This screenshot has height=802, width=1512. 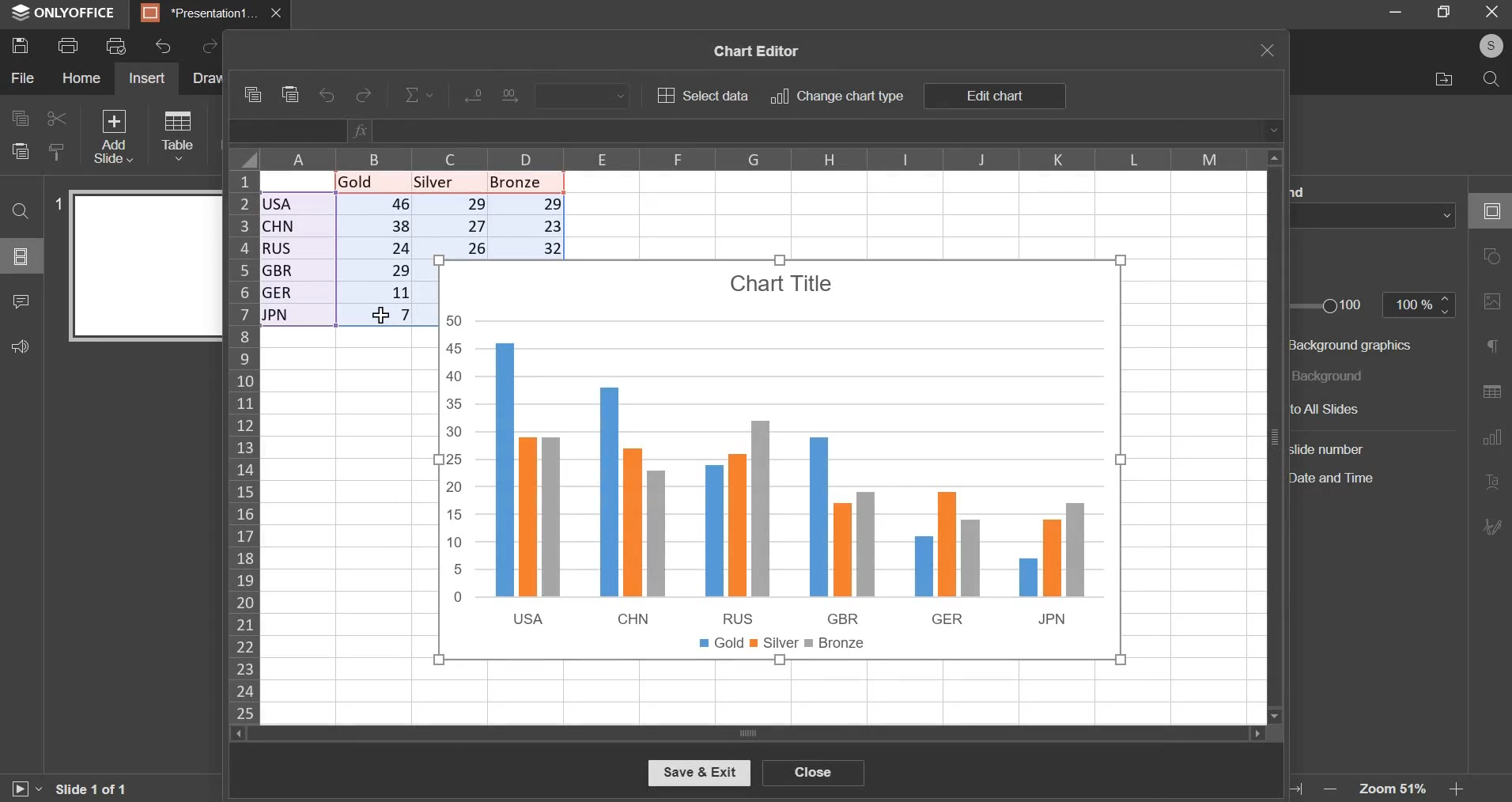 I want to click on file, so click(x=22, y=78).